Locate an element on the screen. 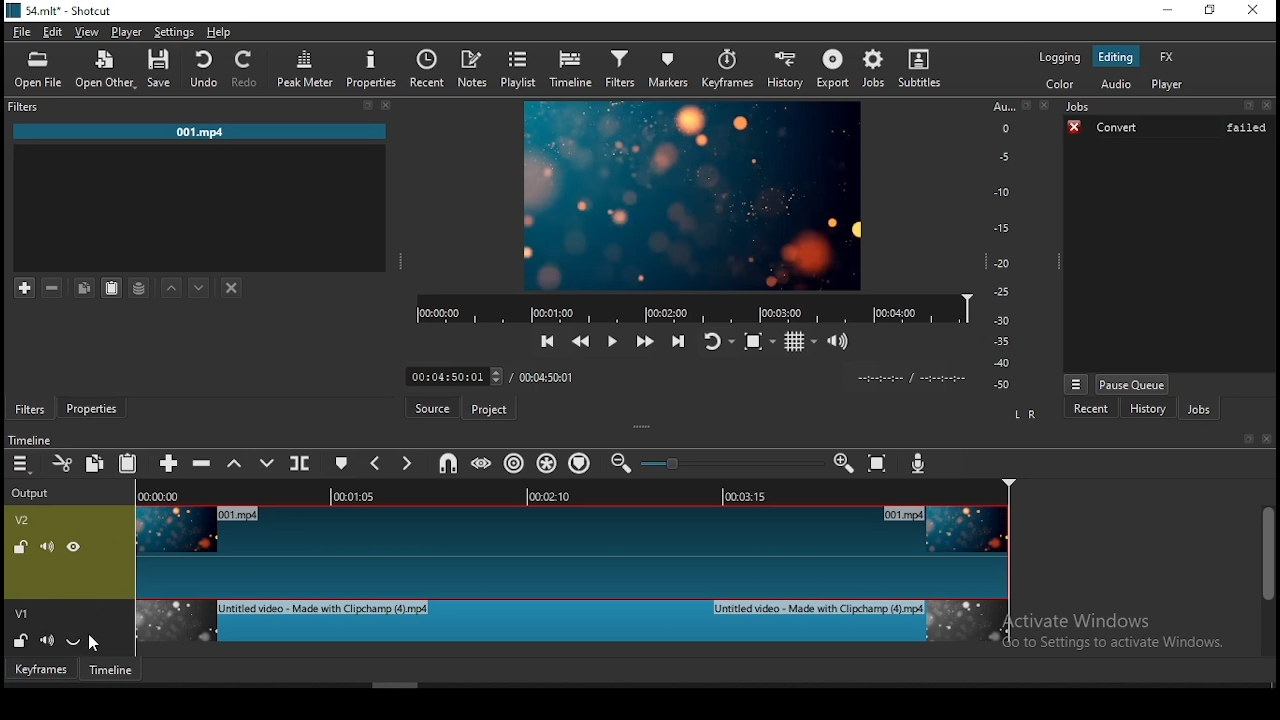 The height and width of the screenshot is (720, 1280). zoom timeline to fit is located at coordinates (877, 464).